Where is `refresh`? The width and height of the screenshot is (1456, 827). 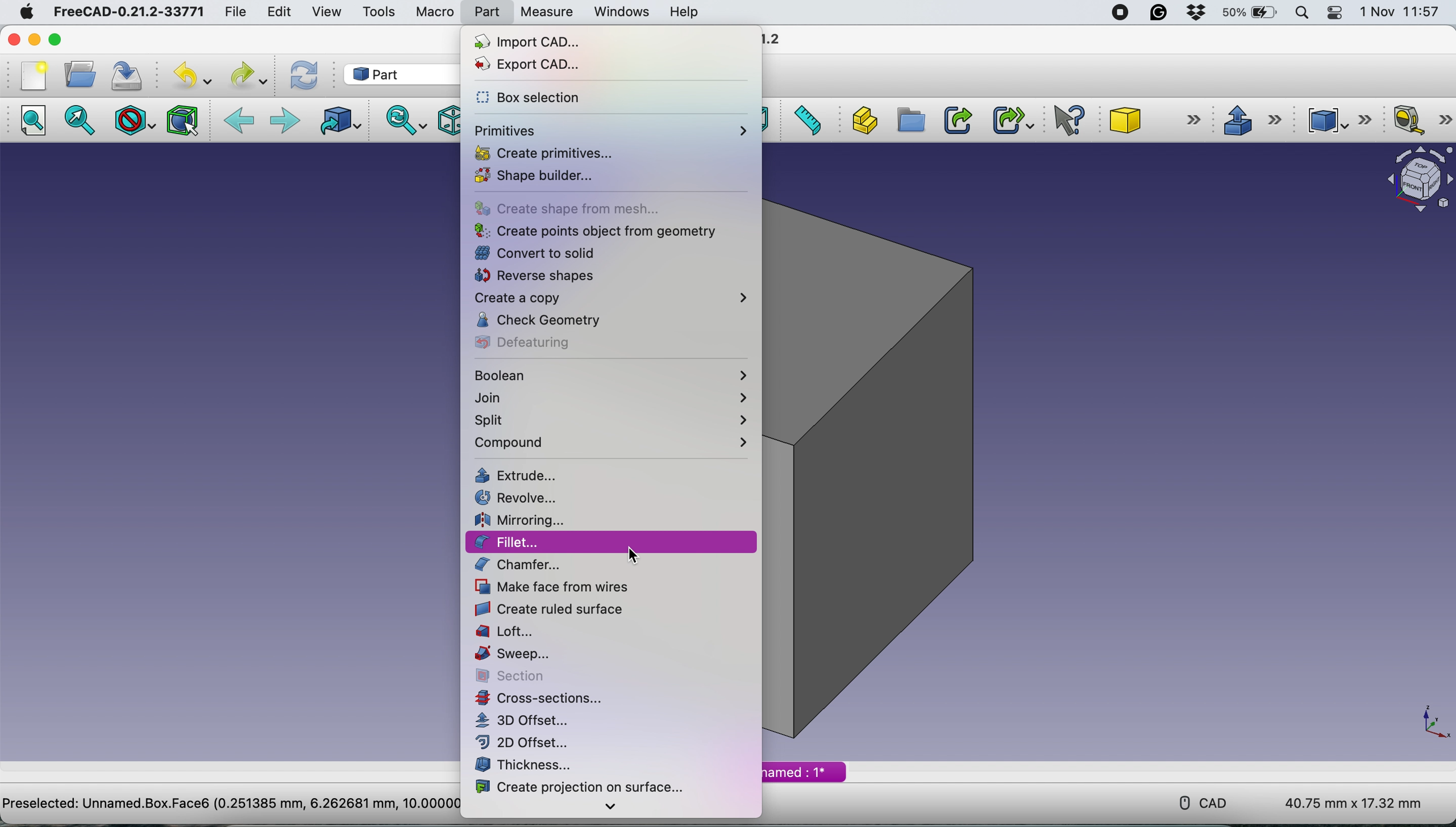 refresh is located at coordinates (302, 76).